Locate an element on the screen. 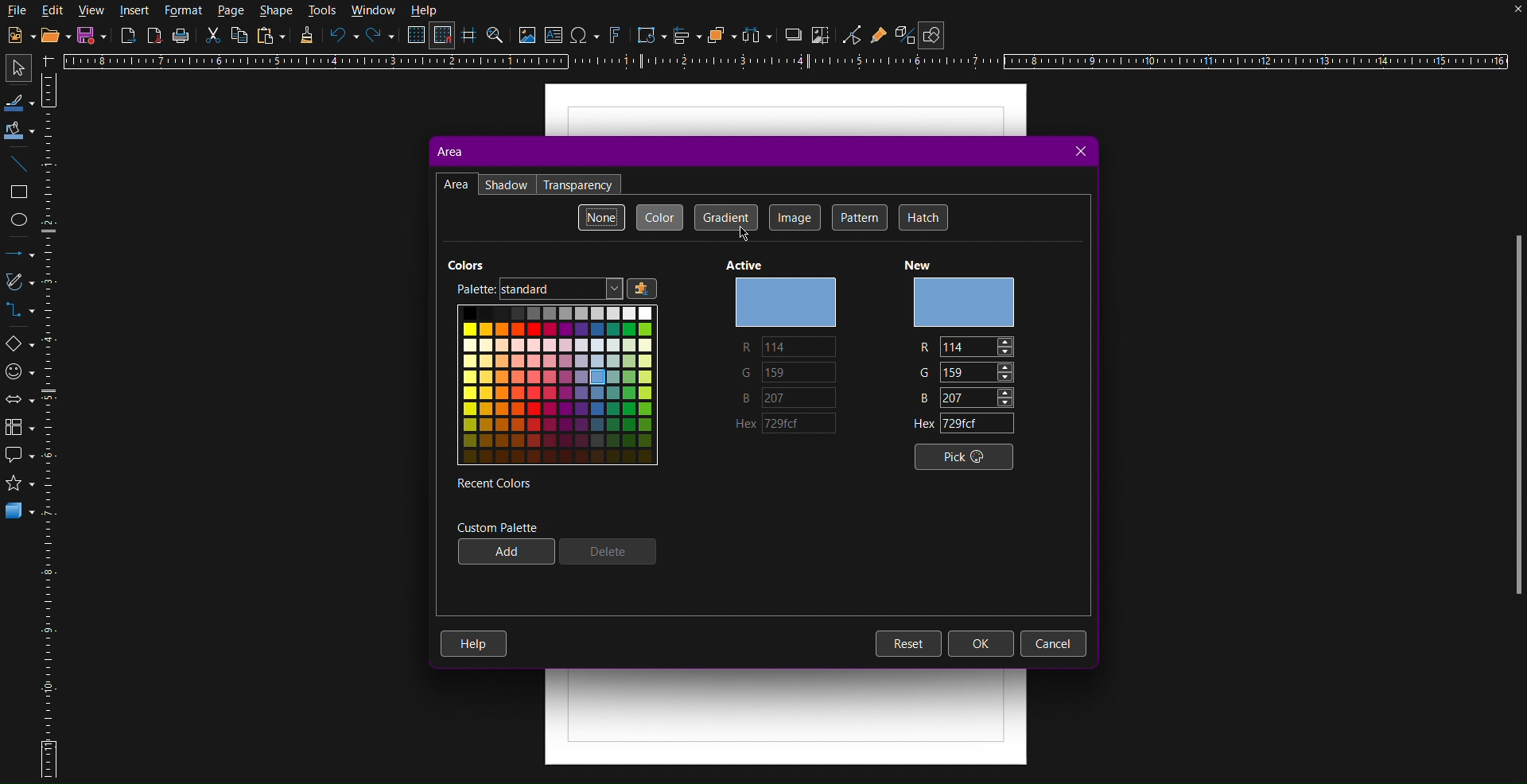 This screenshot has width=1527, height=784. Distribute Objects is located at coordinates (757, 35).